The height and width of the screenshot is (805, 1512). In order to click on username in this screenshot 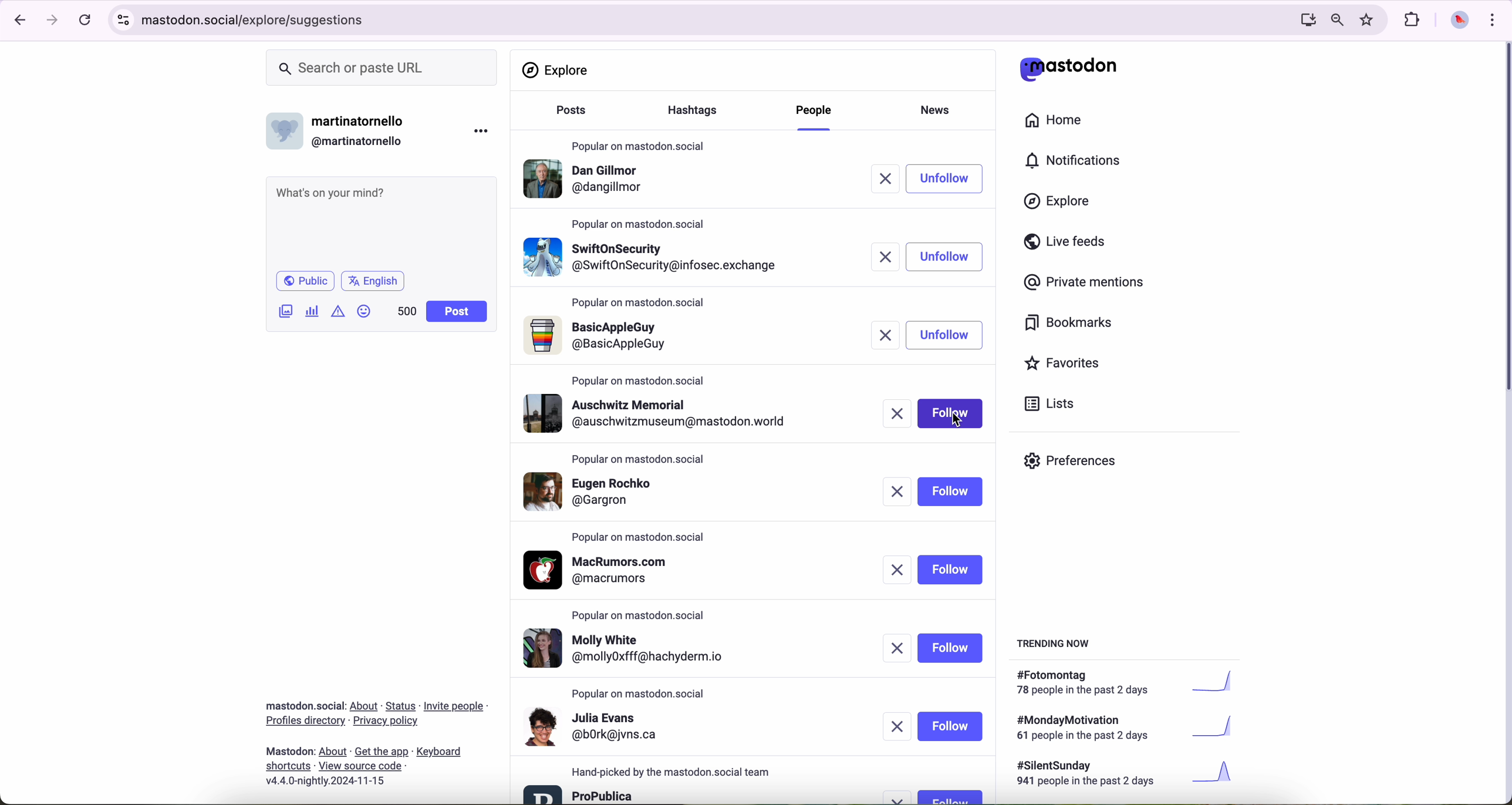, I will do `click(341, 128)`.